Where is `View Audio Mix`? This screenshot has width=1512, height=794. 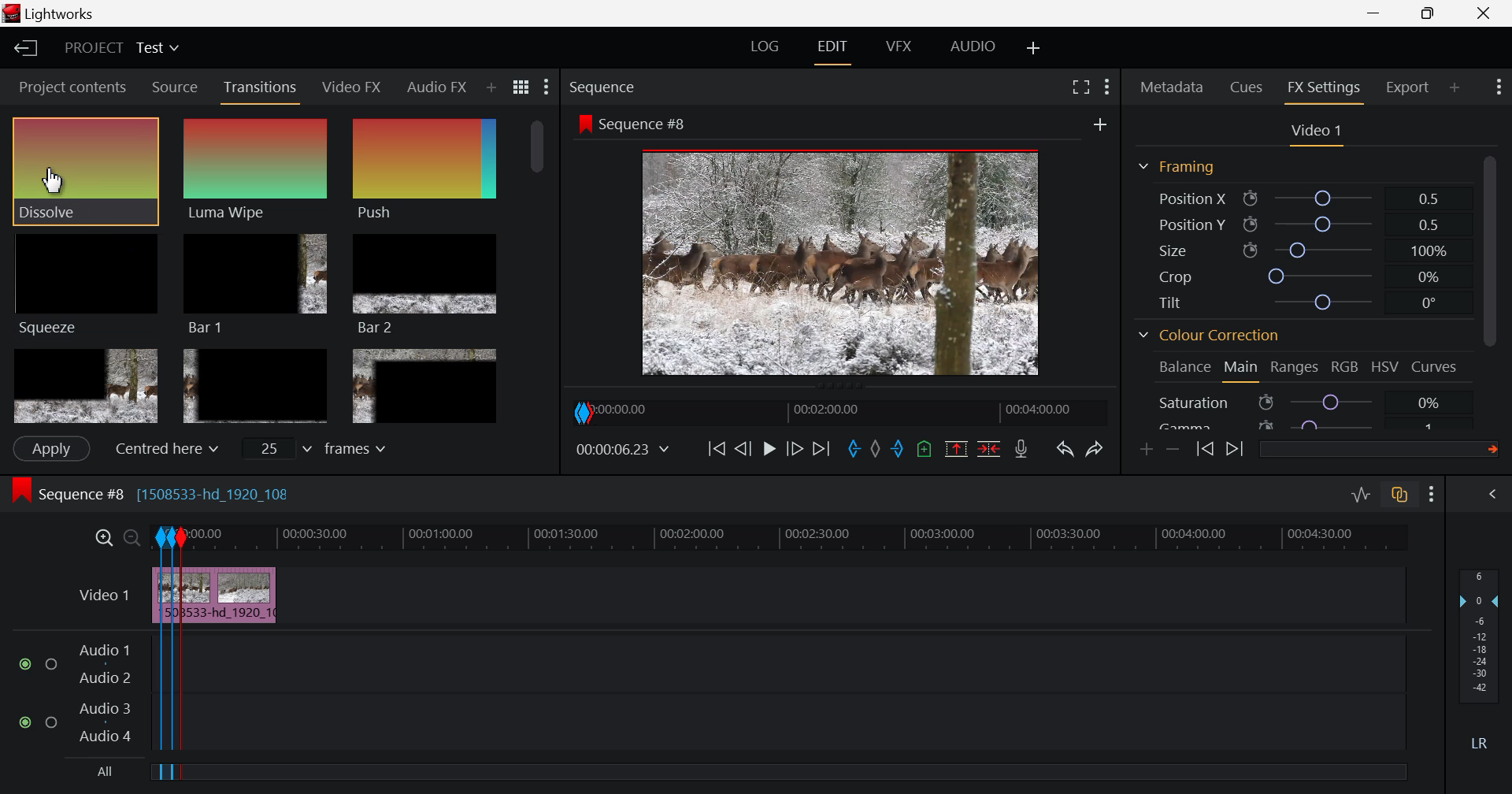
View Audio Mix is located at coordinates (1495, 495).